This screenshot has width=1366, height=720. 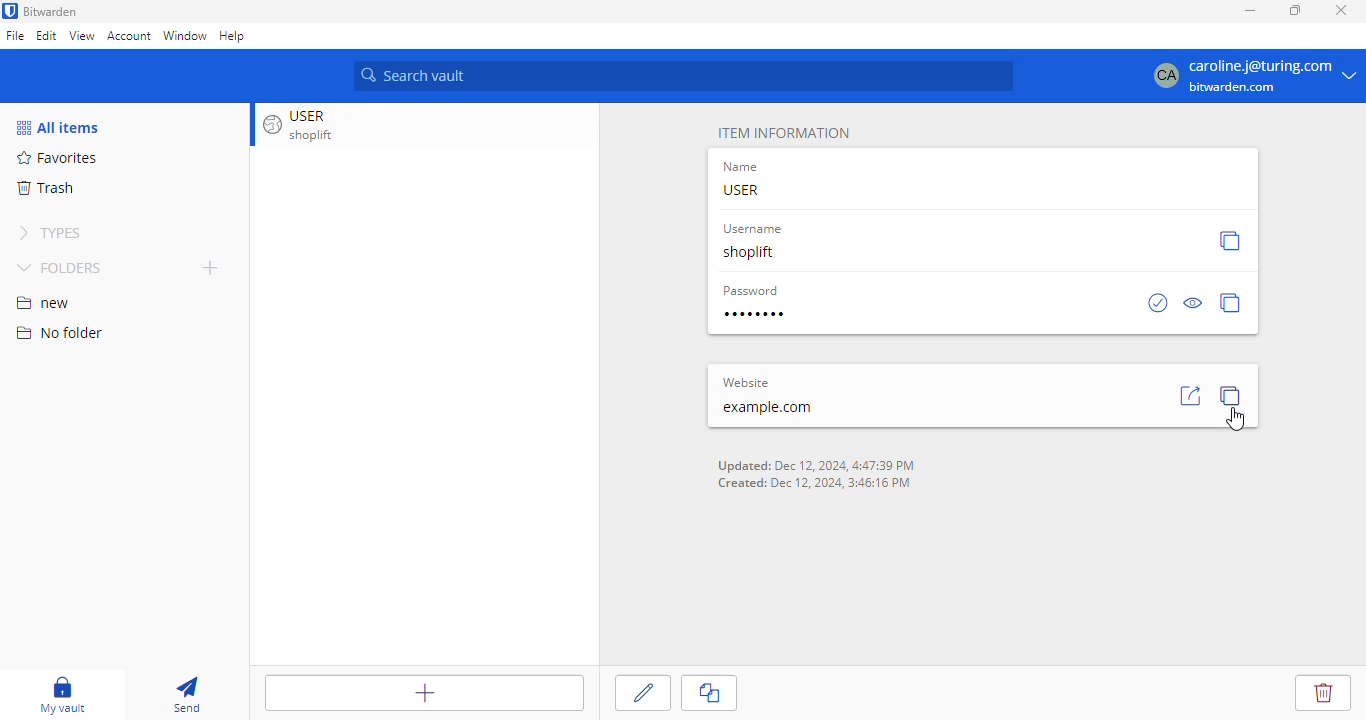 I want to click on Username, so click(x=754, y=230).